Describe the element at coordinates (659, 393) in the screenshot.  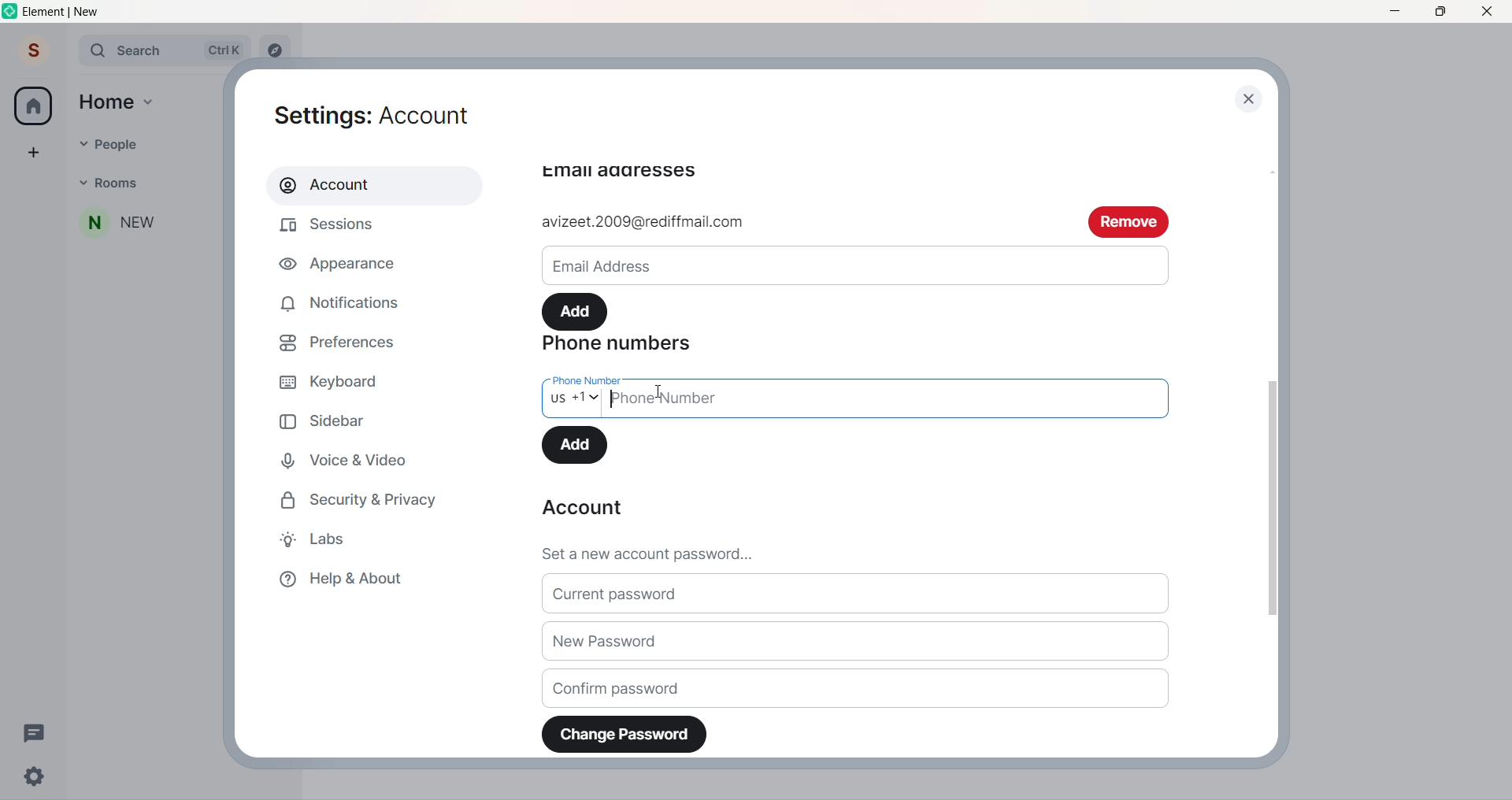
I see `cursor` at that location.